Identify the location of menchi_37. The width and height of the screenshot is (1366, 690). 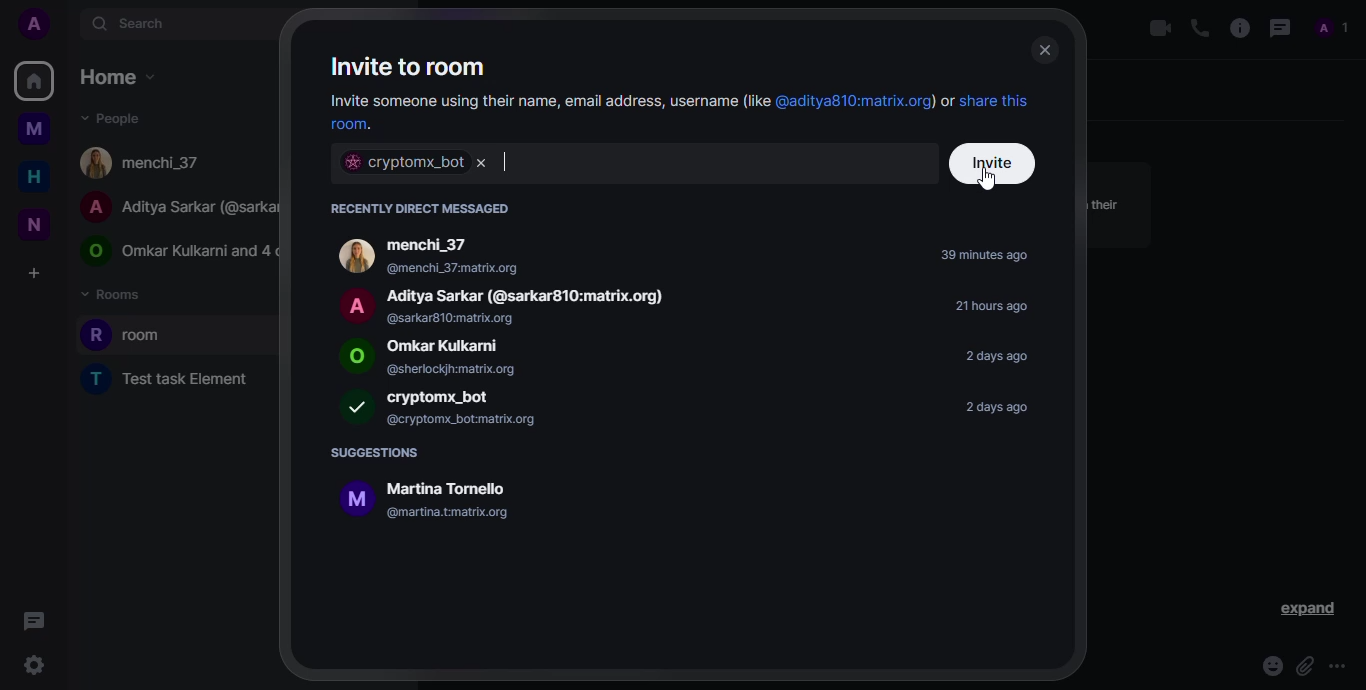
(141, 163).